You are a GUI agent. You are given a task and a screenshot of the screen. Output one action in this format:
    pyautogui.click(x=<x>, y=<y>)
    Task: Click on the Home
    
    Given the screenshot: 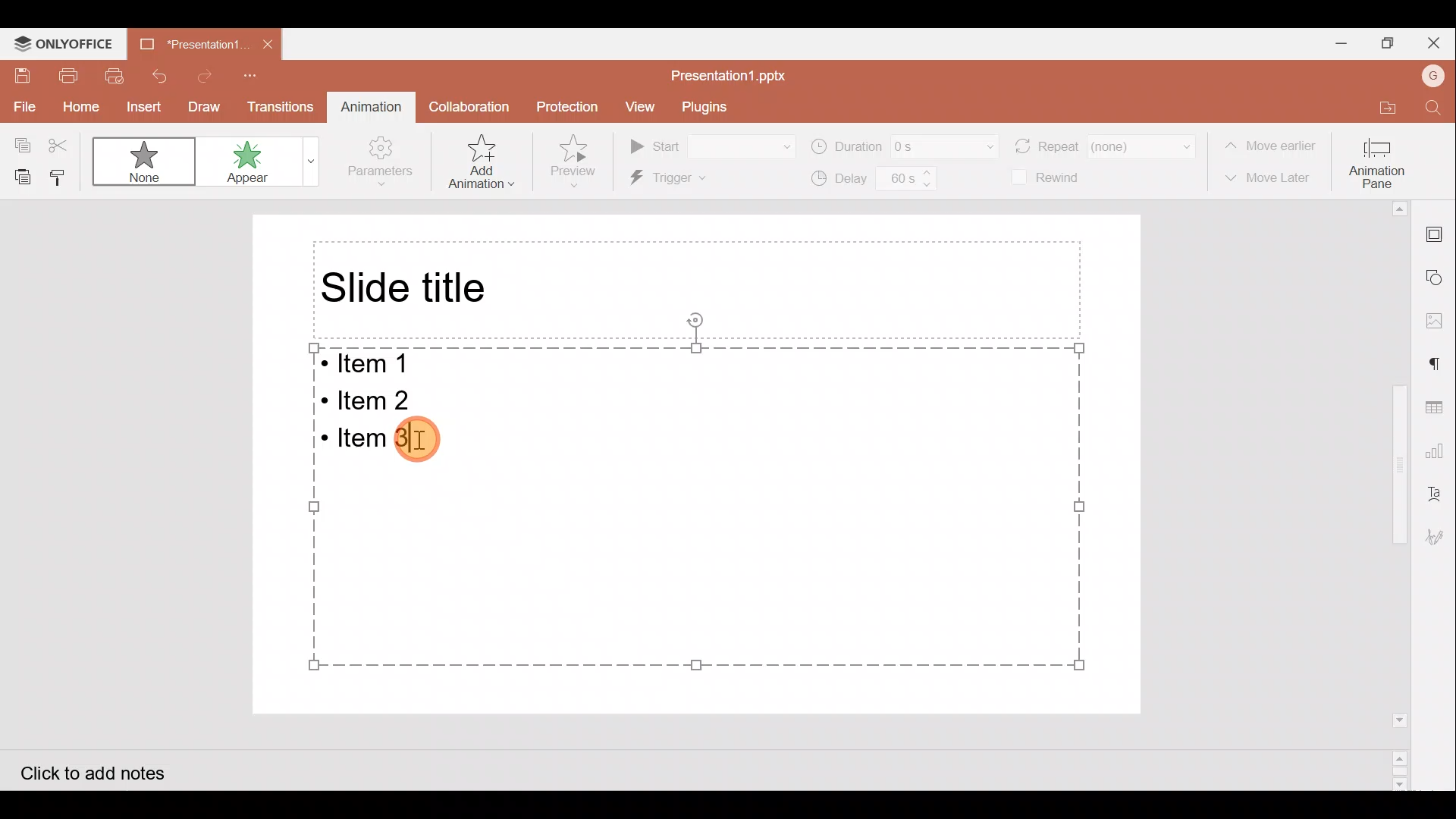 What is the action you would take?
    pyautogui.click(x=73, y=104)
    